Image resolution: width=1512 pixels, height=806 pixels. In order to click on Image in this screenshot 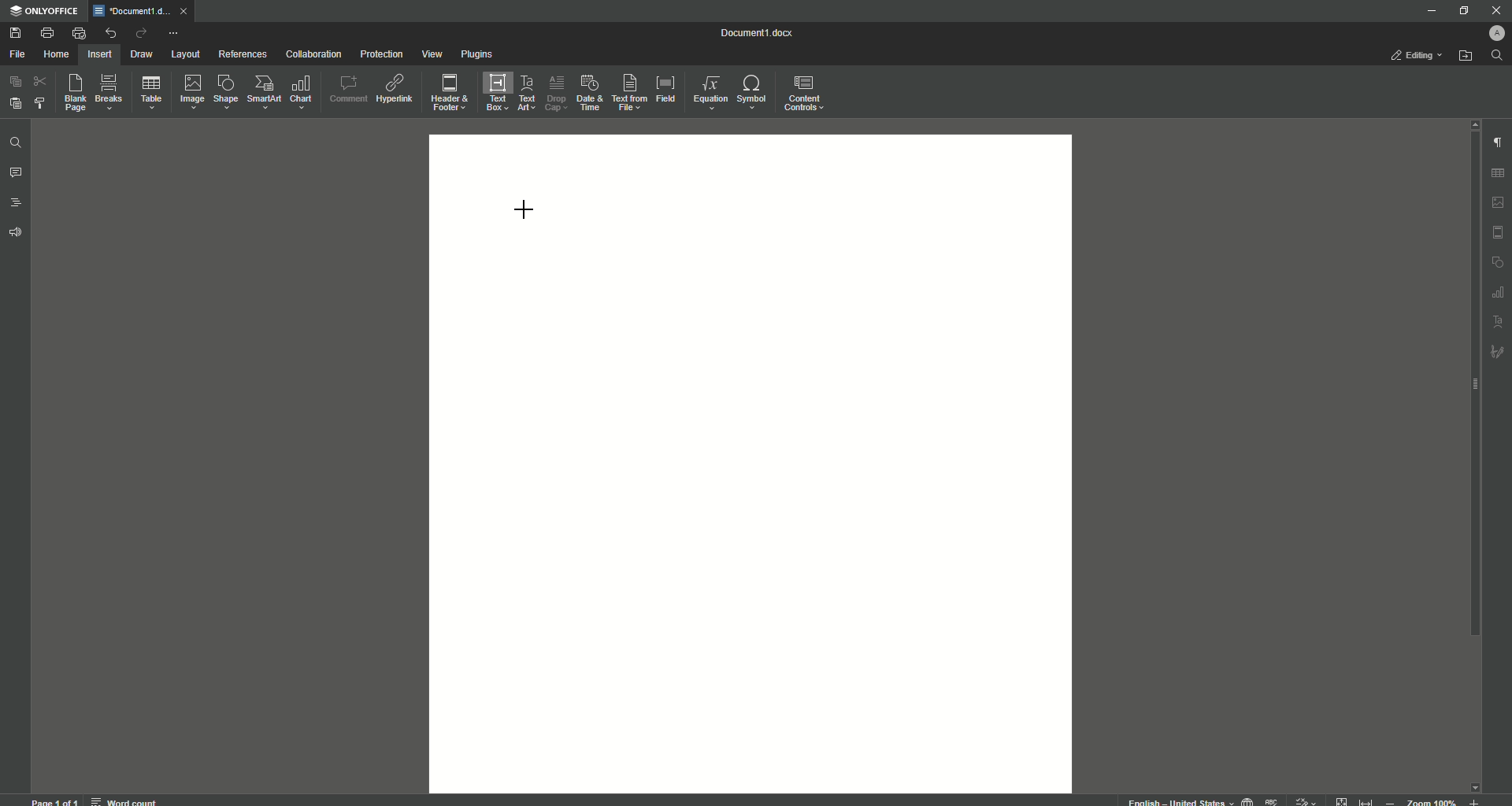, I will do `click(191, 91)`.